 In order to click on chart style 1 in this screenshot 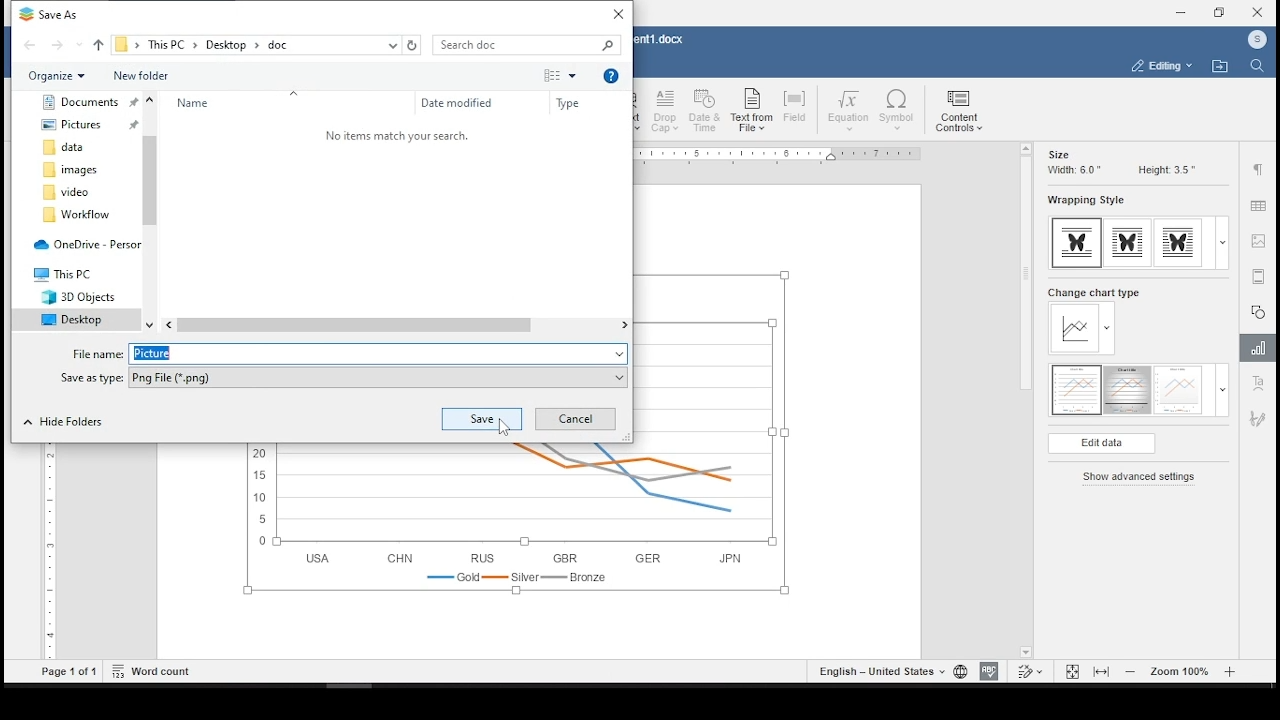, I will do `click(1077, 390)`.